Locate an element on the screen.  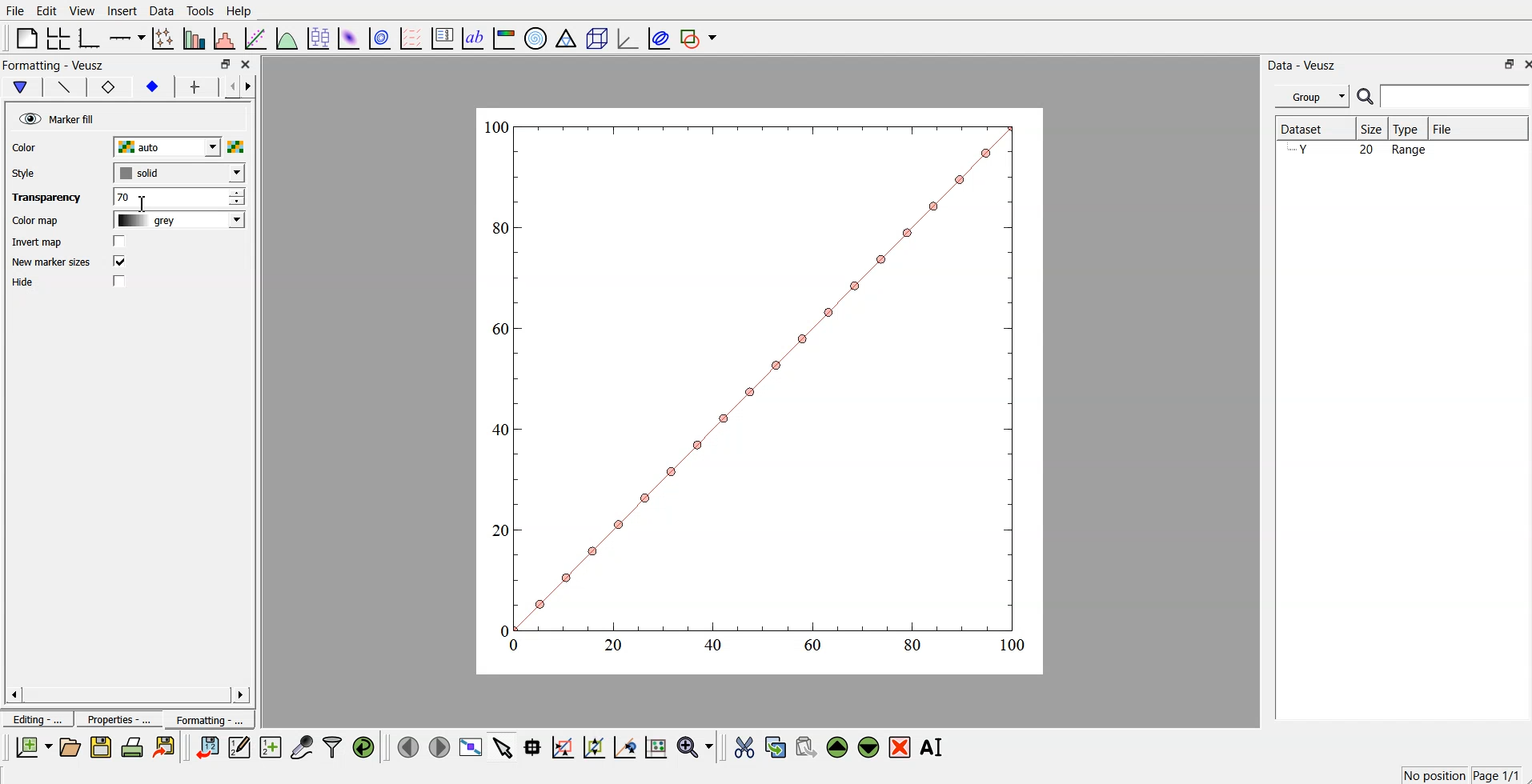
select items from the graph is located at coordinates (505, 746).